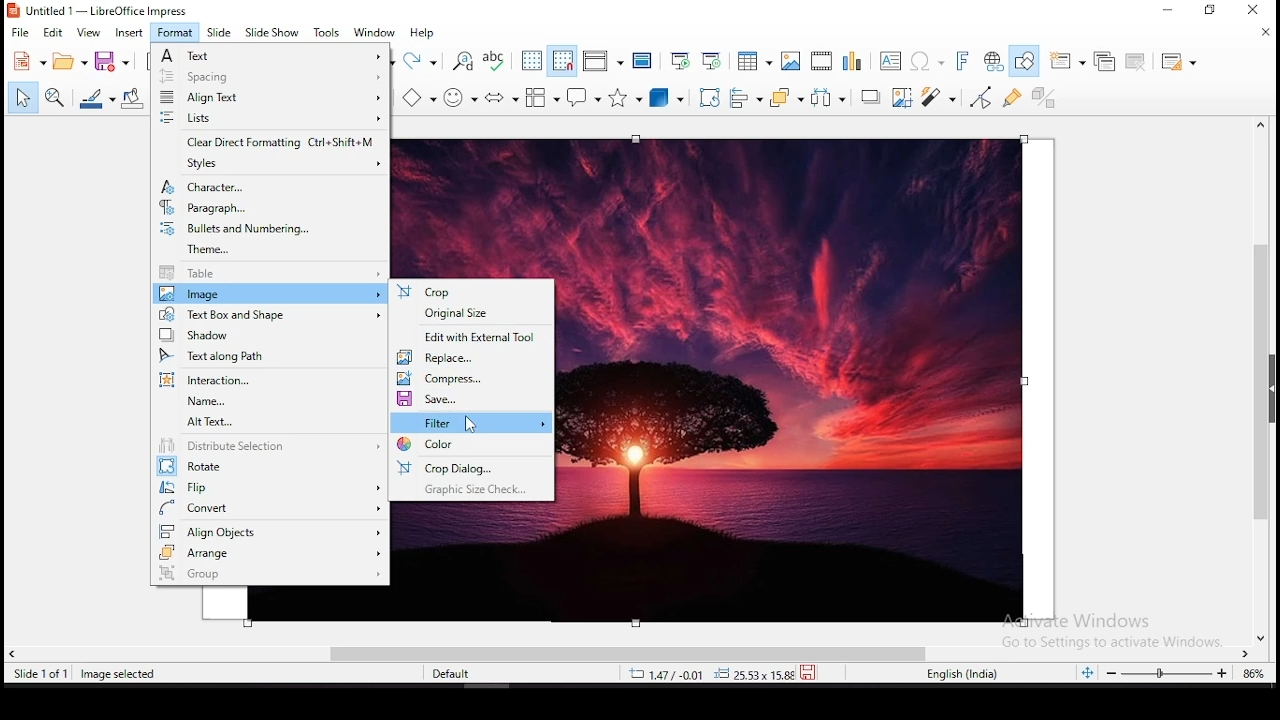 The image size is (1280, 720). Describe the element at coordinates (1068, 60) in the screenshot. I see `new slide` at that location.